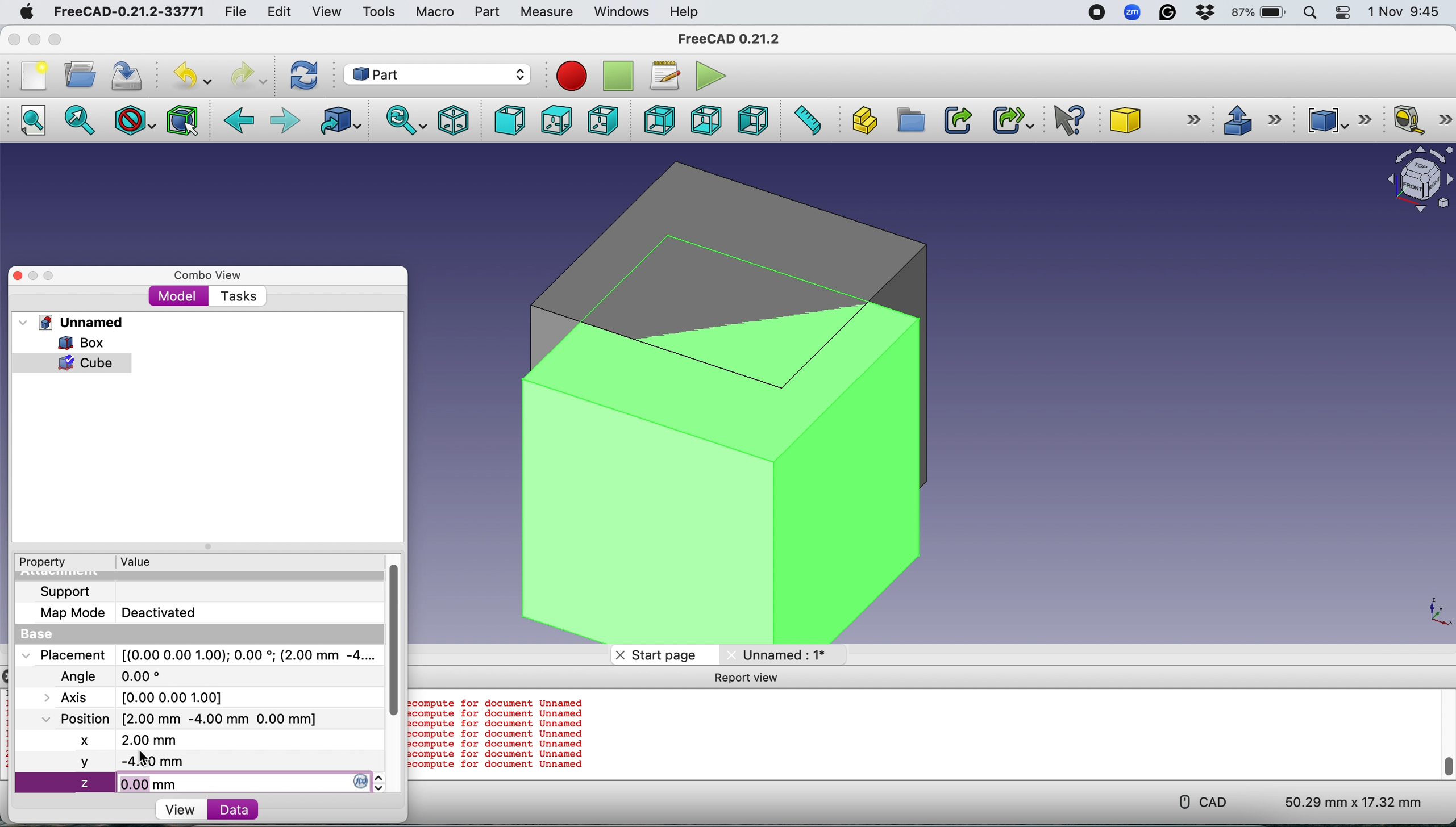 This screenshot has height=827, width=1456. What do you see at coordinates (1206, 14) in the screenshot?
I see `Dropbox` at bounding box center [1206, 14].